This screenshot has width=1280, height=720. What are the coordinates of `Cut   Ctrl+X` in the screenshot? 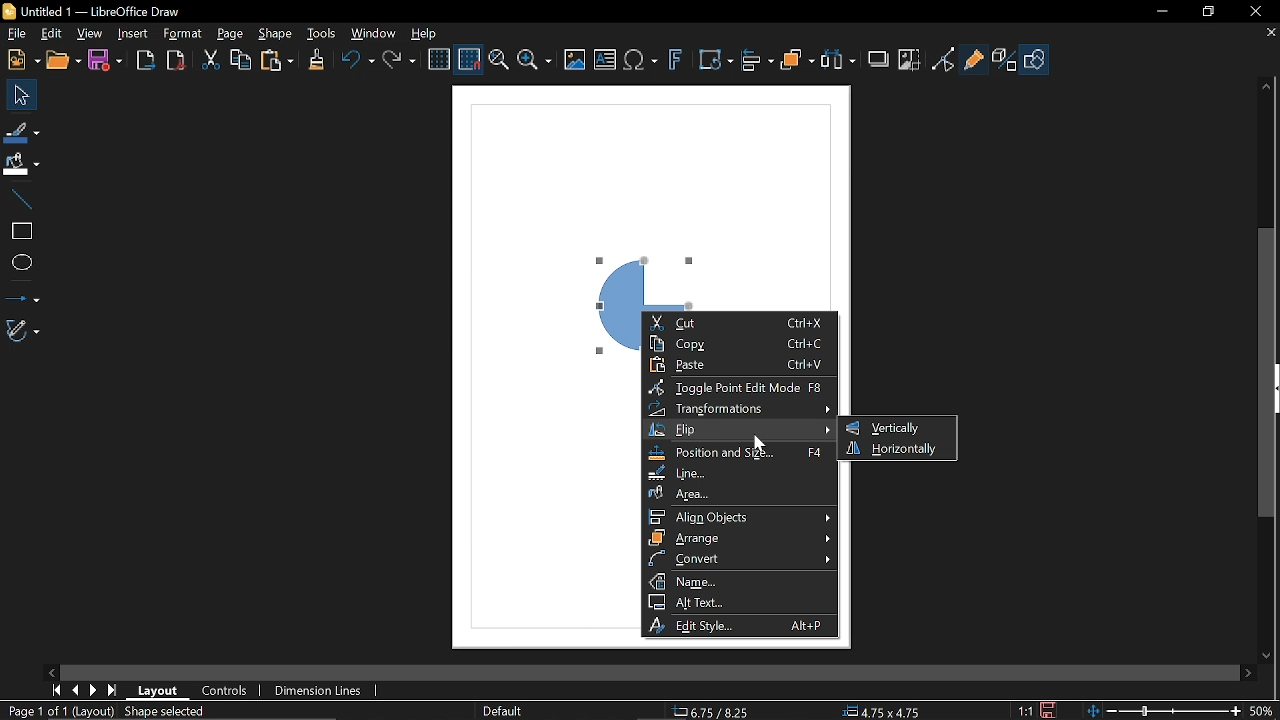 It's located at (736, 323).